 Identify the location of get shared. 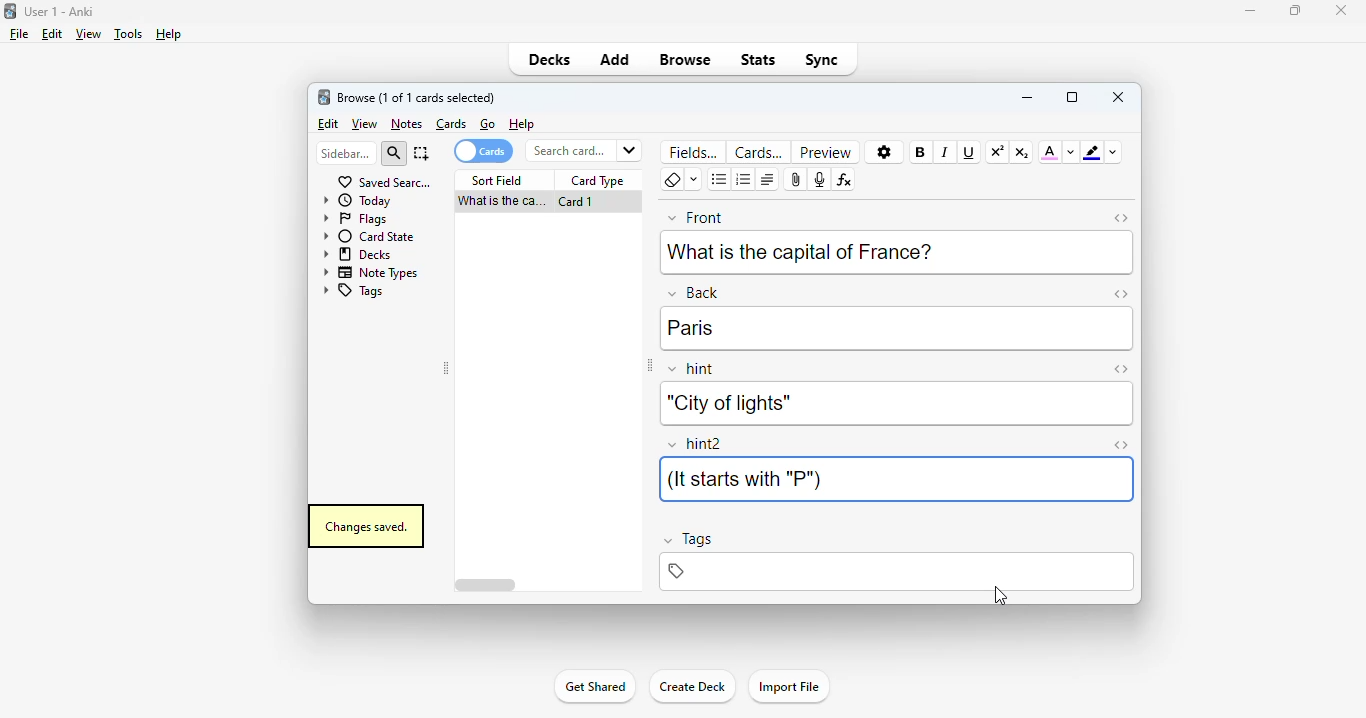
(594, 686).